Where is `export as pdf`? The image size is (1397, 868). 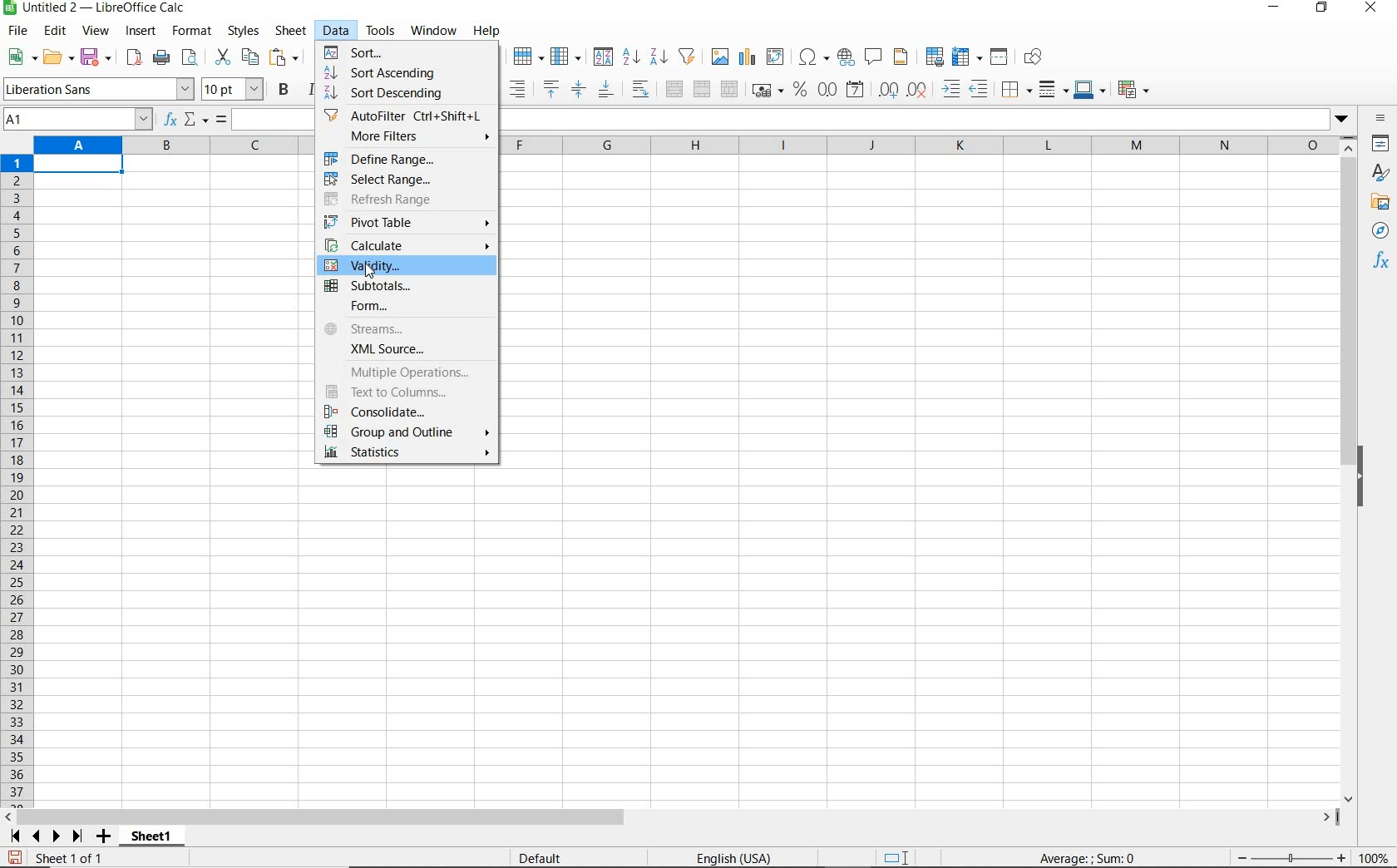
export as pdf is located at coordinates (133, 57).